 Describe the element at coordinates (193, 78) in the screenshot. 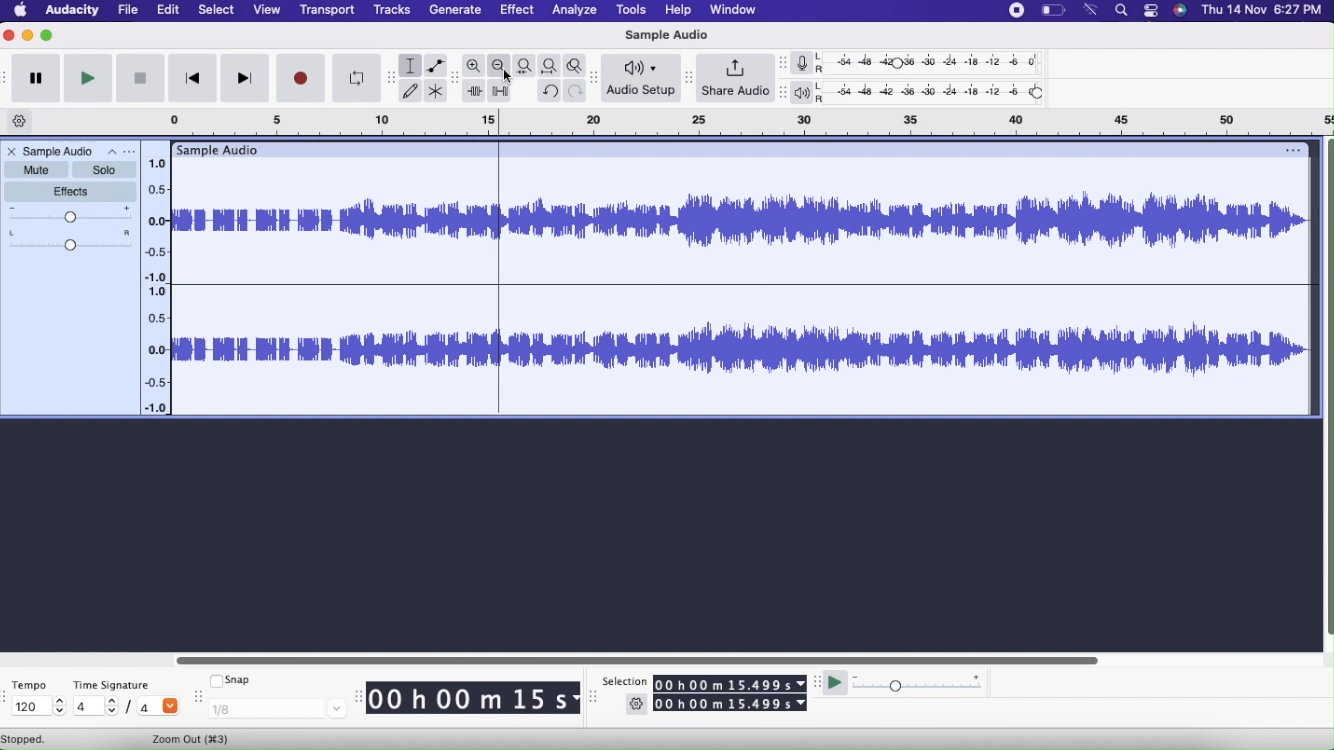

I see `Skip to start` at that location.